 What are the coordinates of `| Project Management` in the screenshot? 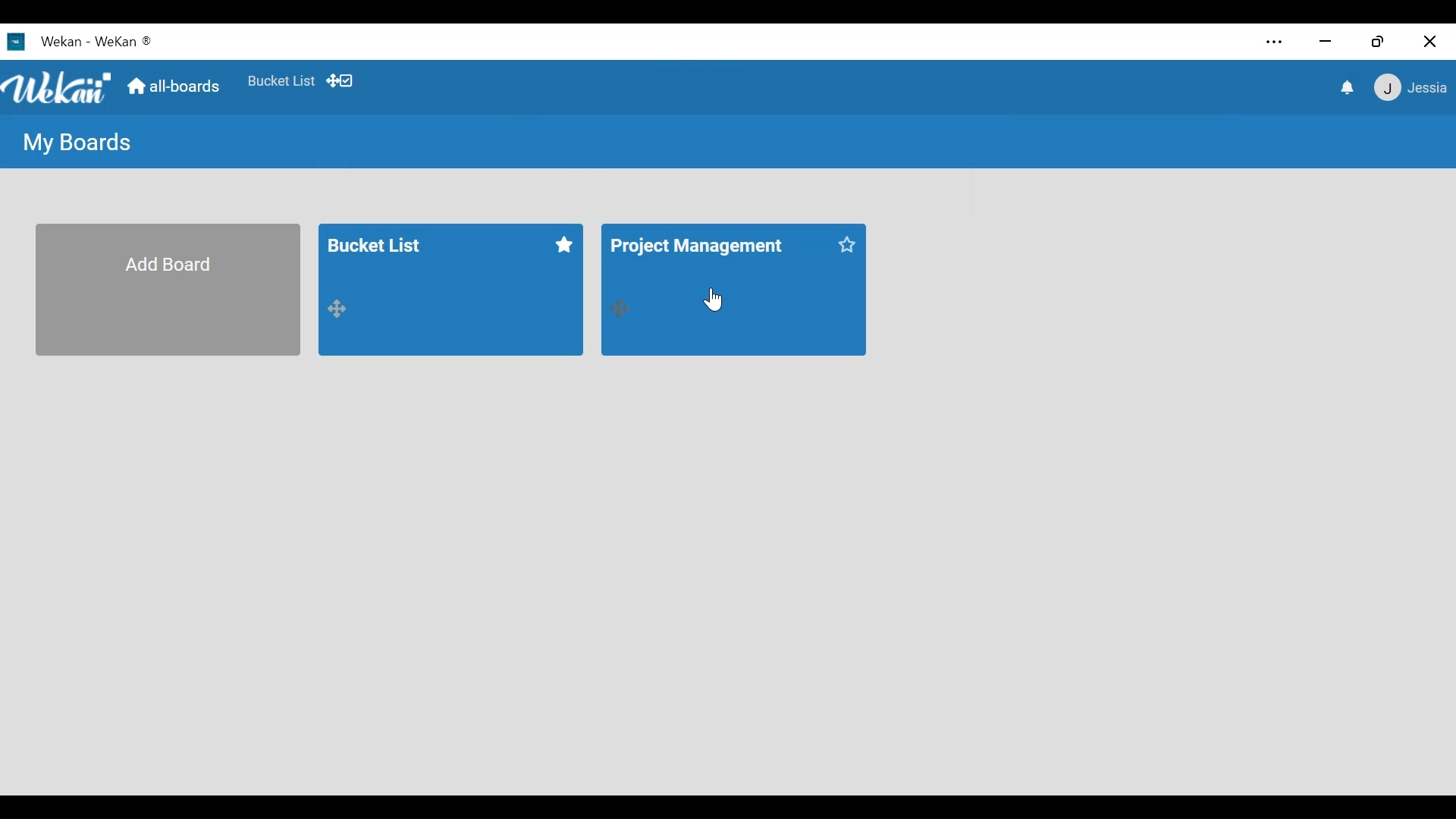 It's located at (713, 260).